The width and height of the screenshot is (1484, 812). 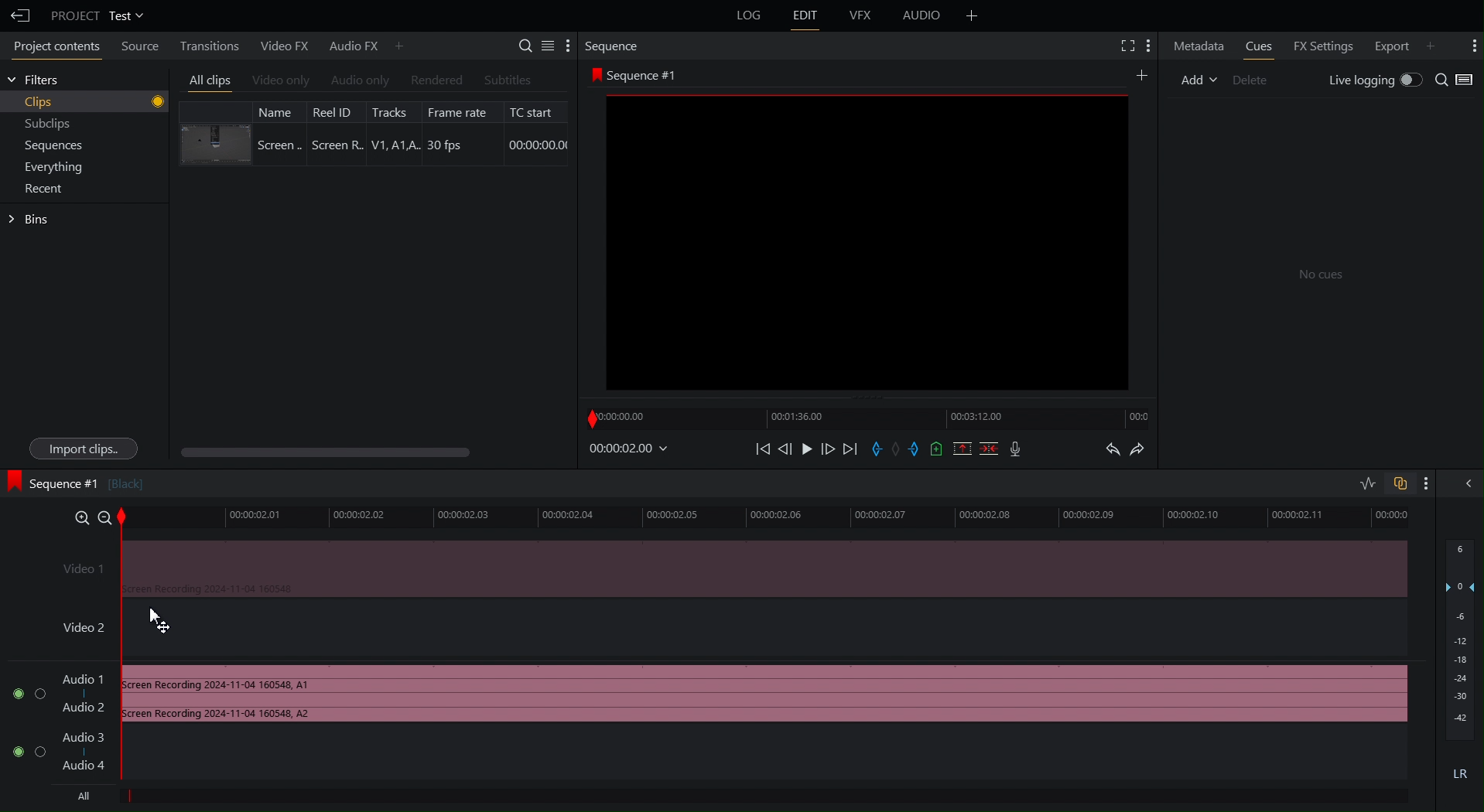 I want to click on Rendered, so click(x=433, y=80).